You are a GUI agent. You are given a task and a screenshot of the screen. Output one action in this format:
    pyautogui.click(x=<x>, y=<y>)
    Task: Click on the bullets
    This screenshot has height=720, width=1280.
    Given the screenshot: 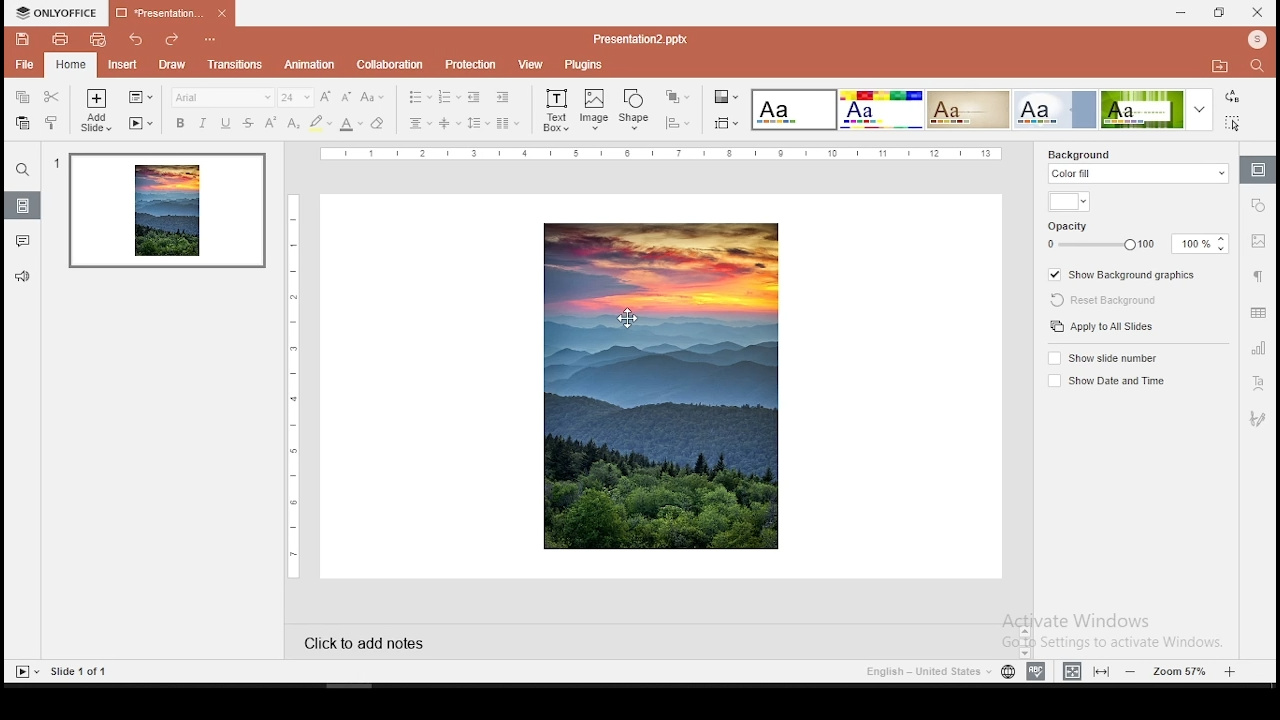 What is the action you would take?
    pyautogui.click(x=419, y=96)
    